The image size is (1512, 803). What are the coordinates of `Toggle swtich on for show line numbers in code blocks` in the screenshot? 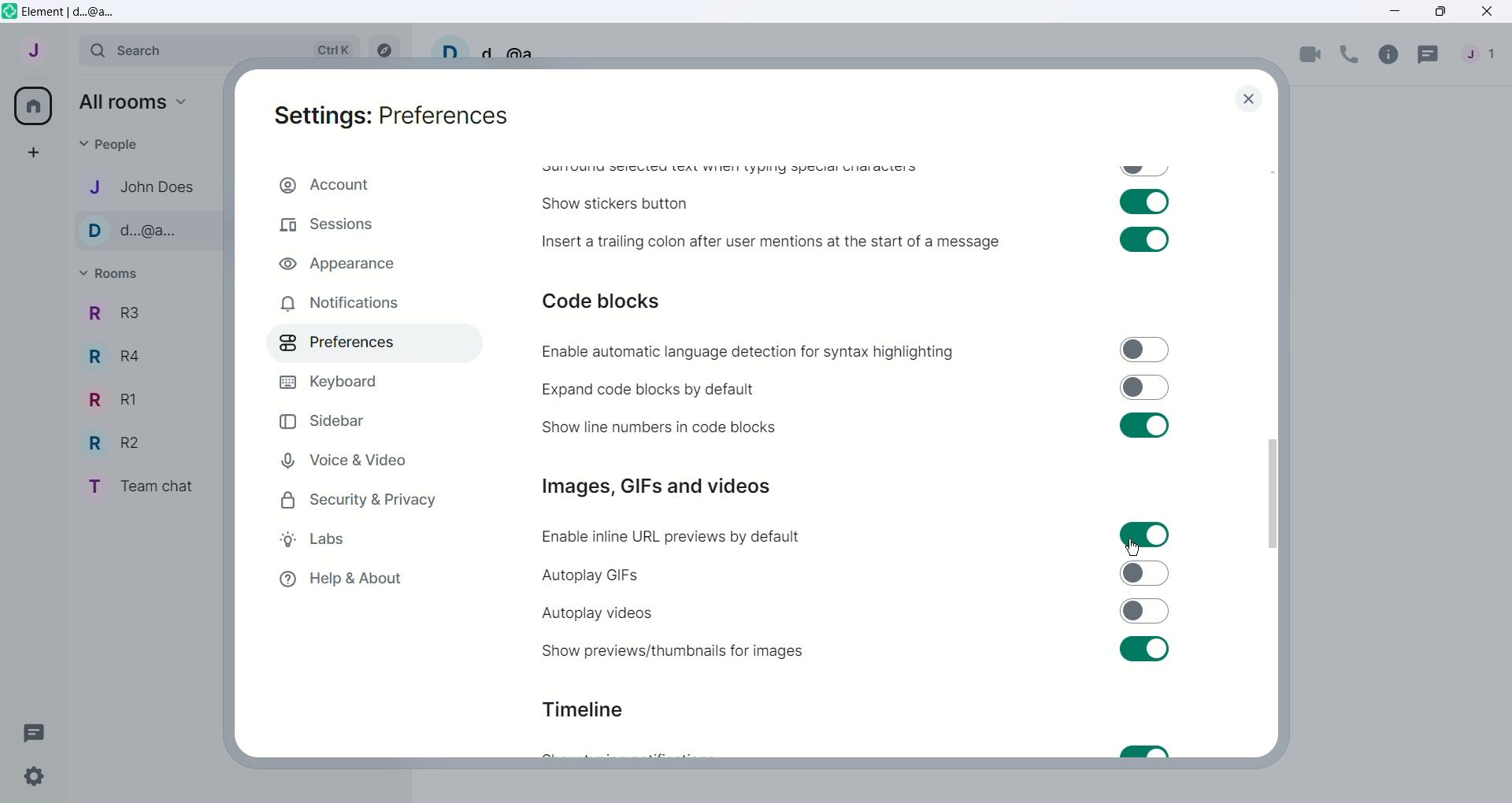 It's located at (1143, 425).